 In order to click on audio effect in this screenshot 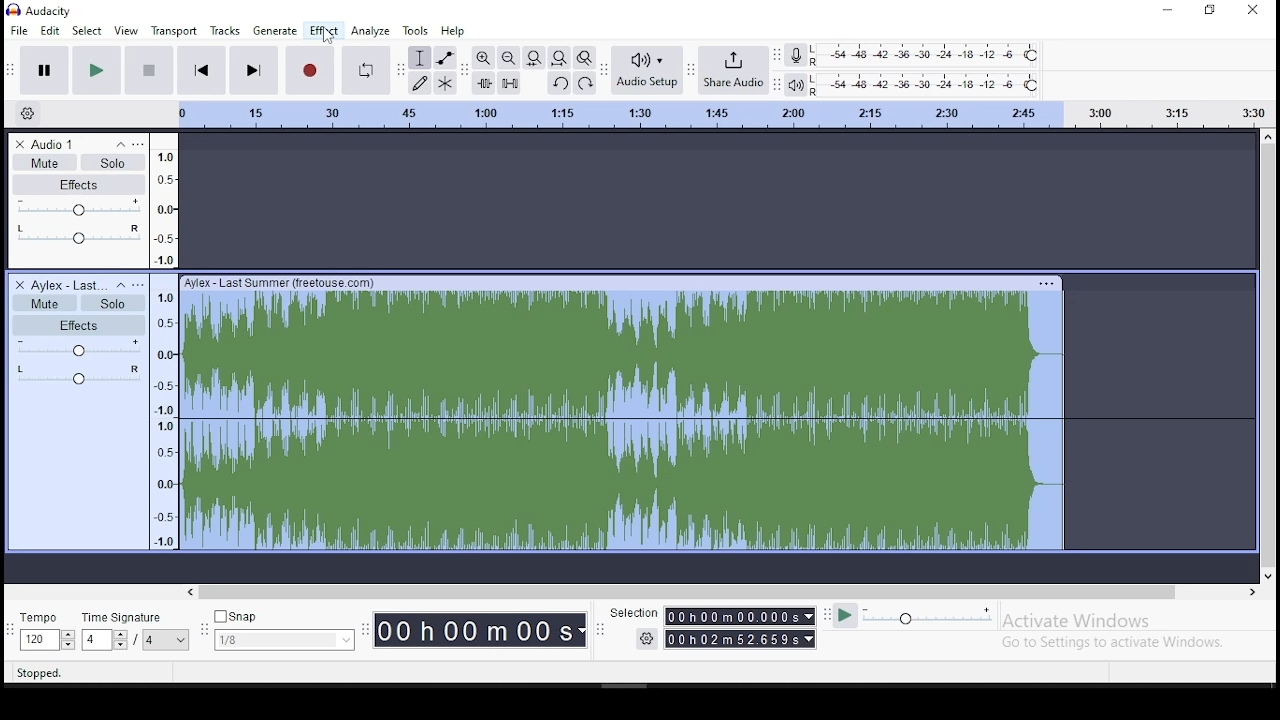, I will do `click(77, 242)`.